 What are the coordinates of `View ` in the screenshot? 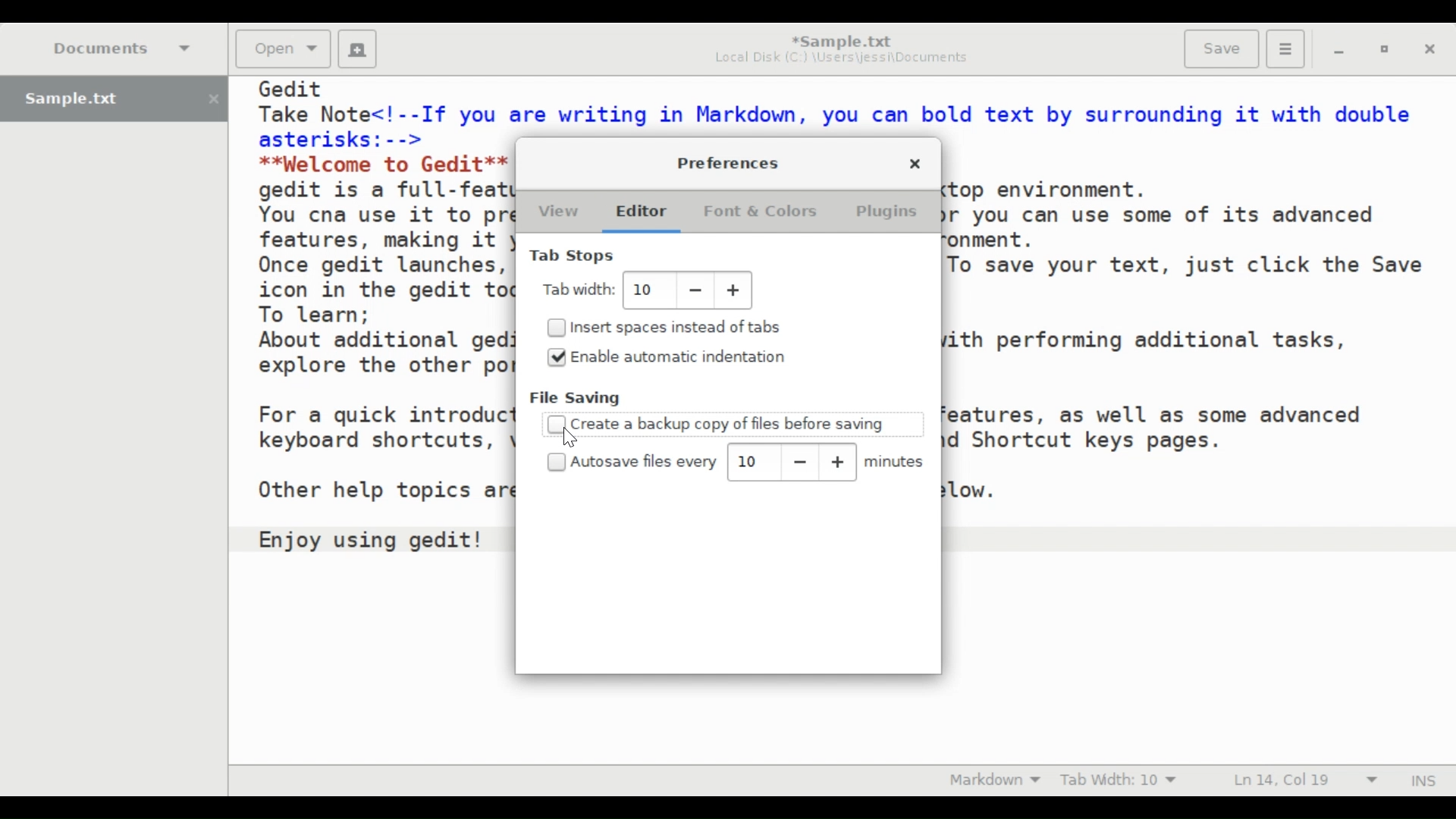 It's located at (557, 213).